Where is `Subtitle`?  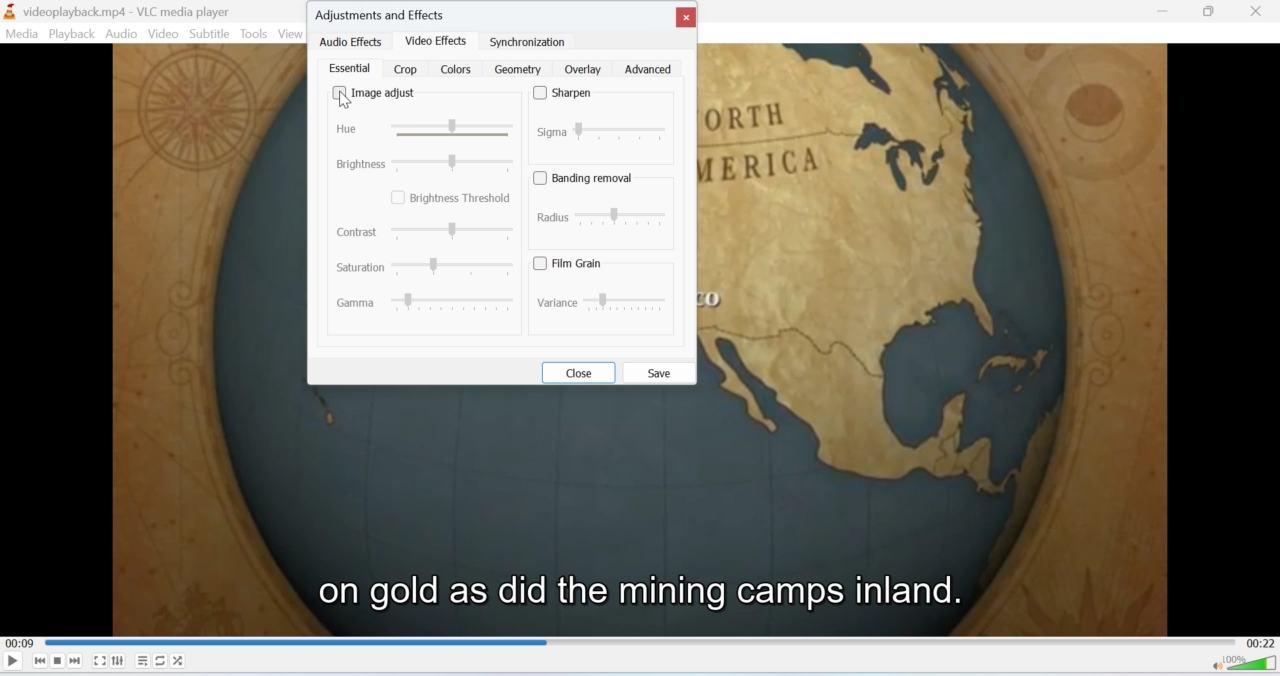
Subtitle is located at coordinates (209, 35).